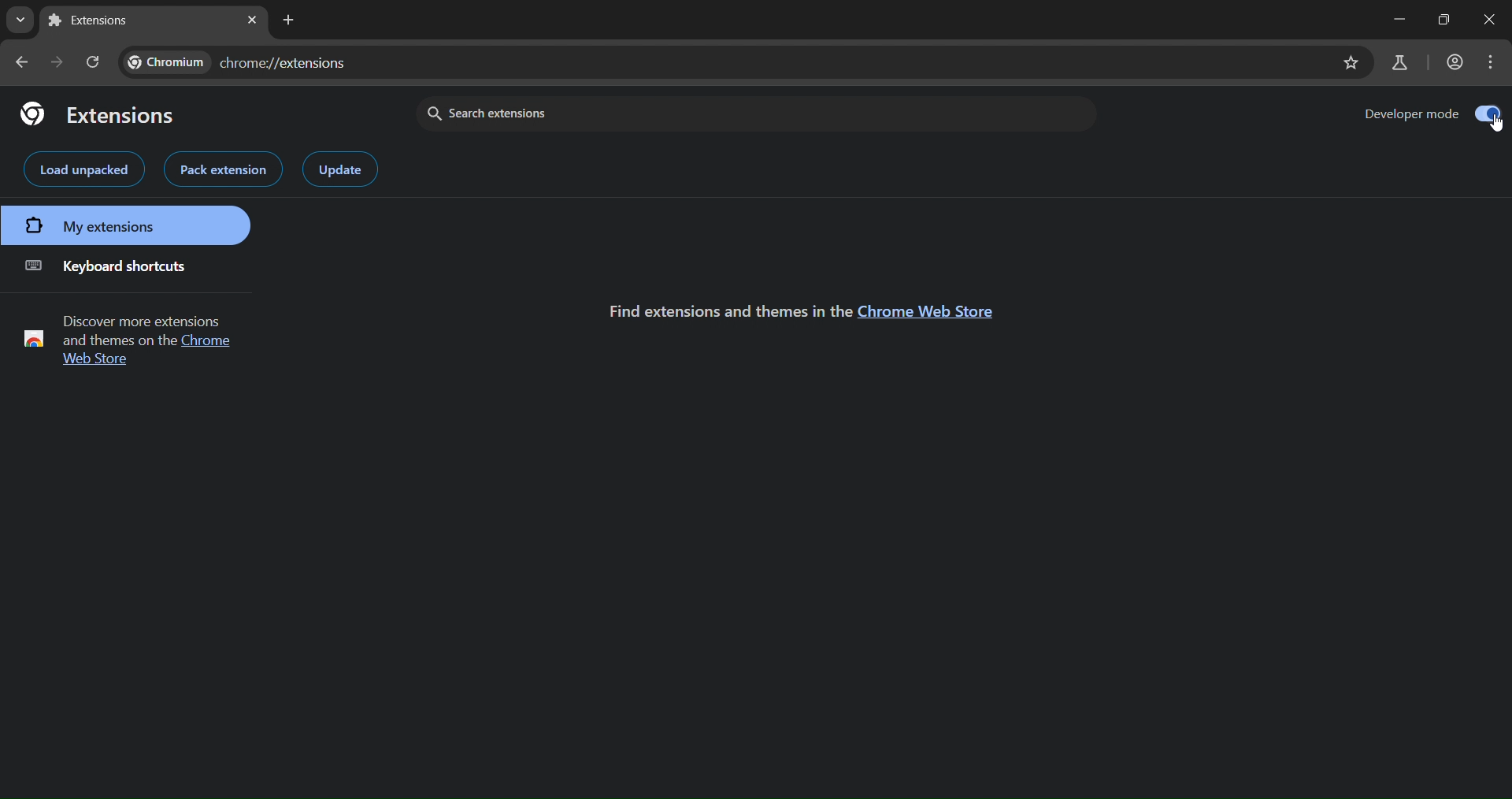 This screenshot has width=1512, height=799. What do you see at coordinates (287, 20) in the screenshot?
I see `new tab` at bounding box center [287, 20].